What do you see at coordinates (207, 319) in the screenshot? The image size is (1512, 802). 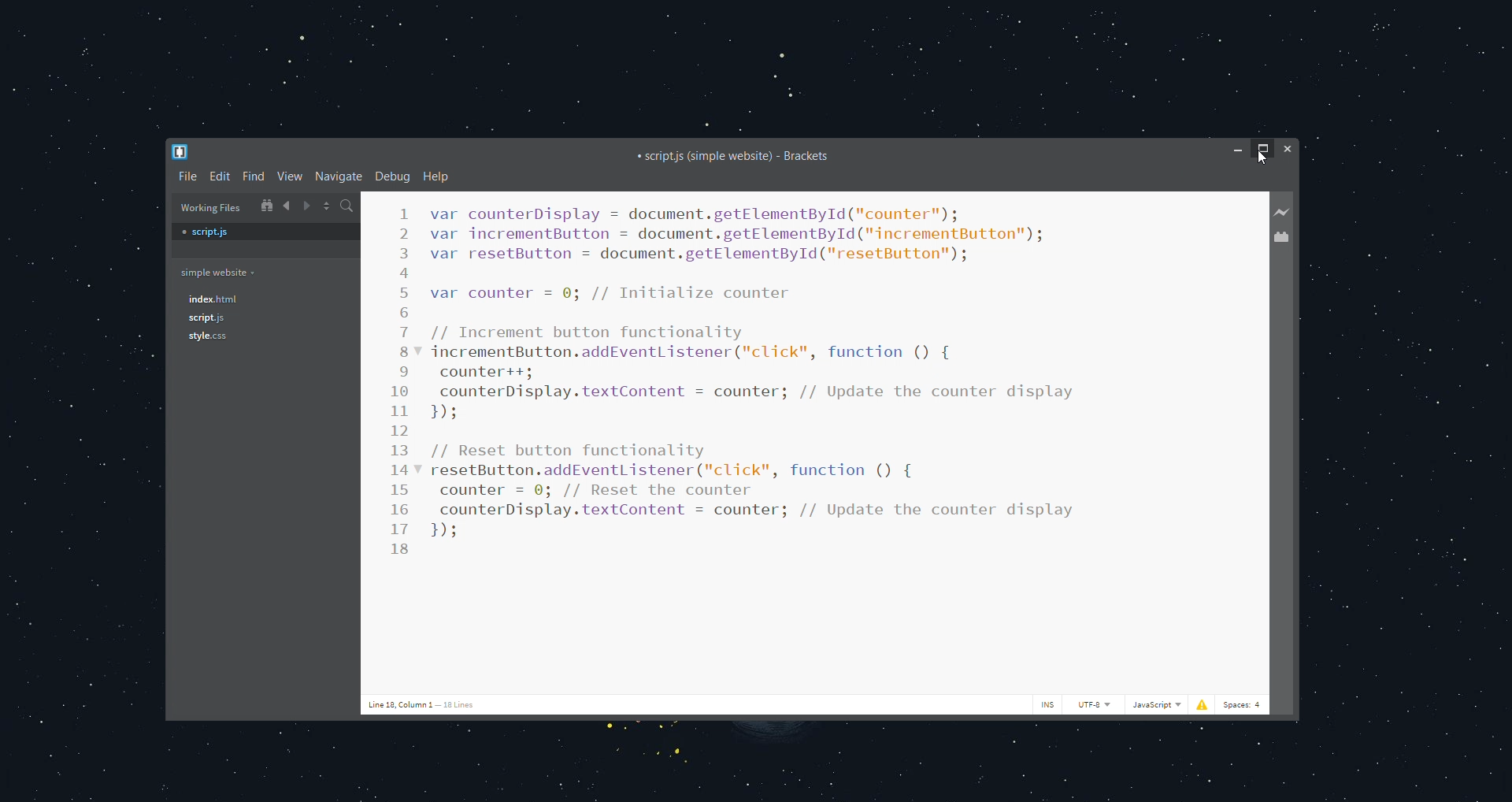 I see `script.js` at bounding box center [207, 319].